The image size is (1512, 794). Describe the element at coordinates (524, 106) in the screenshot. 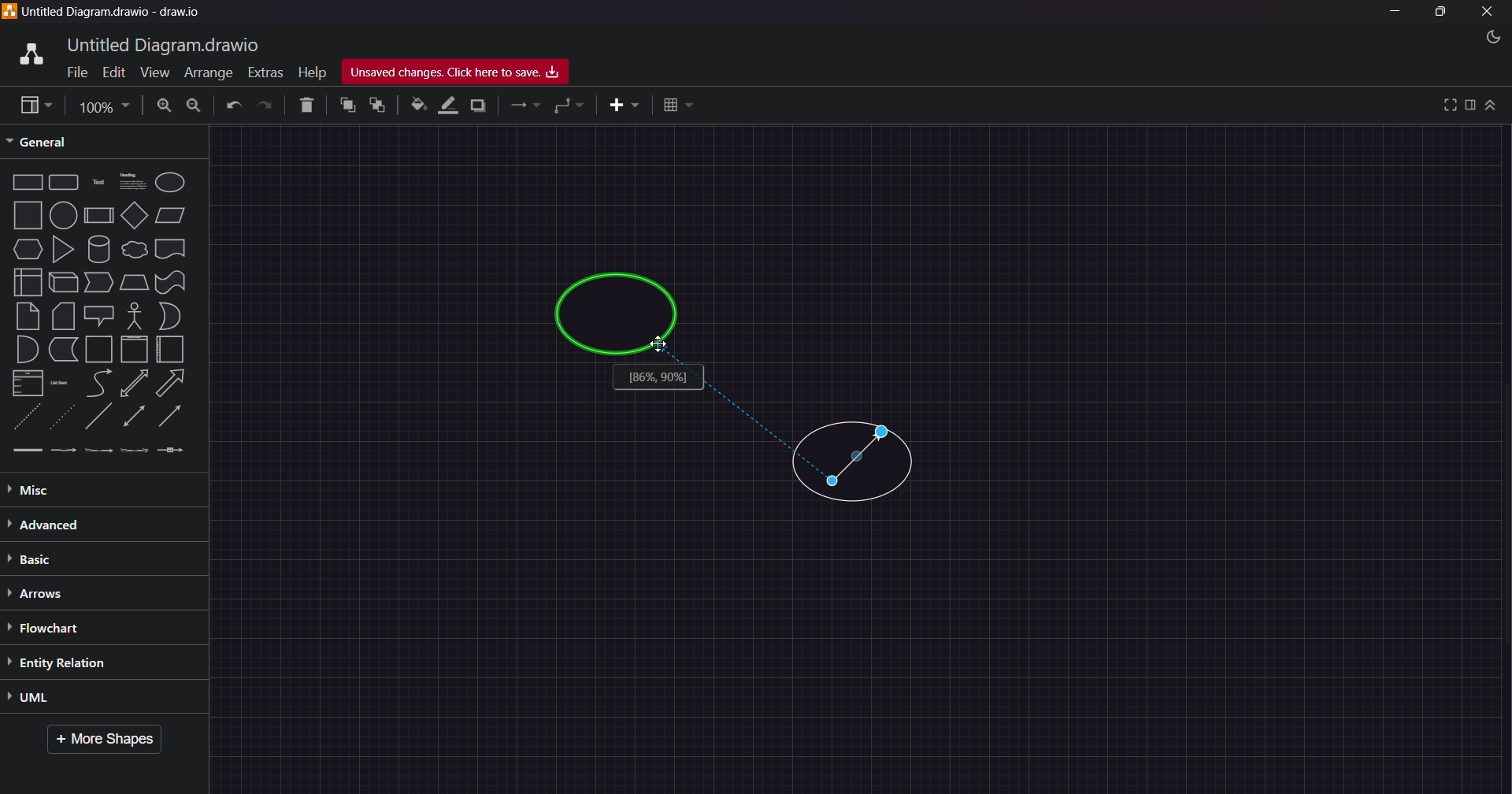

I see `connections` at that location.